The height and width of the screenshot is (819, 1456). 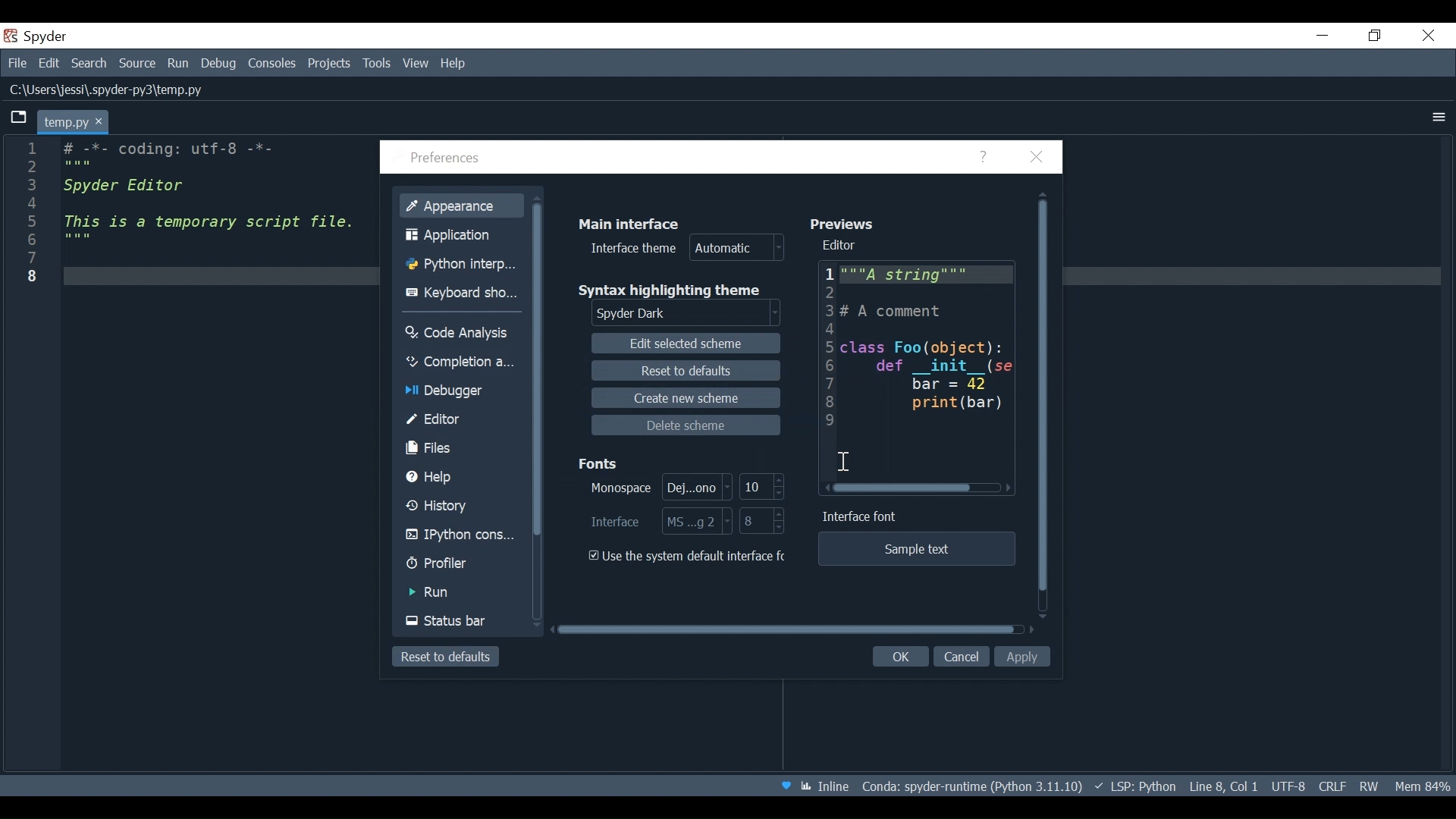 What do you see at coordinates (915, 549) in the screenshot?
I see `Sample text` at bounding box center [915, 549].